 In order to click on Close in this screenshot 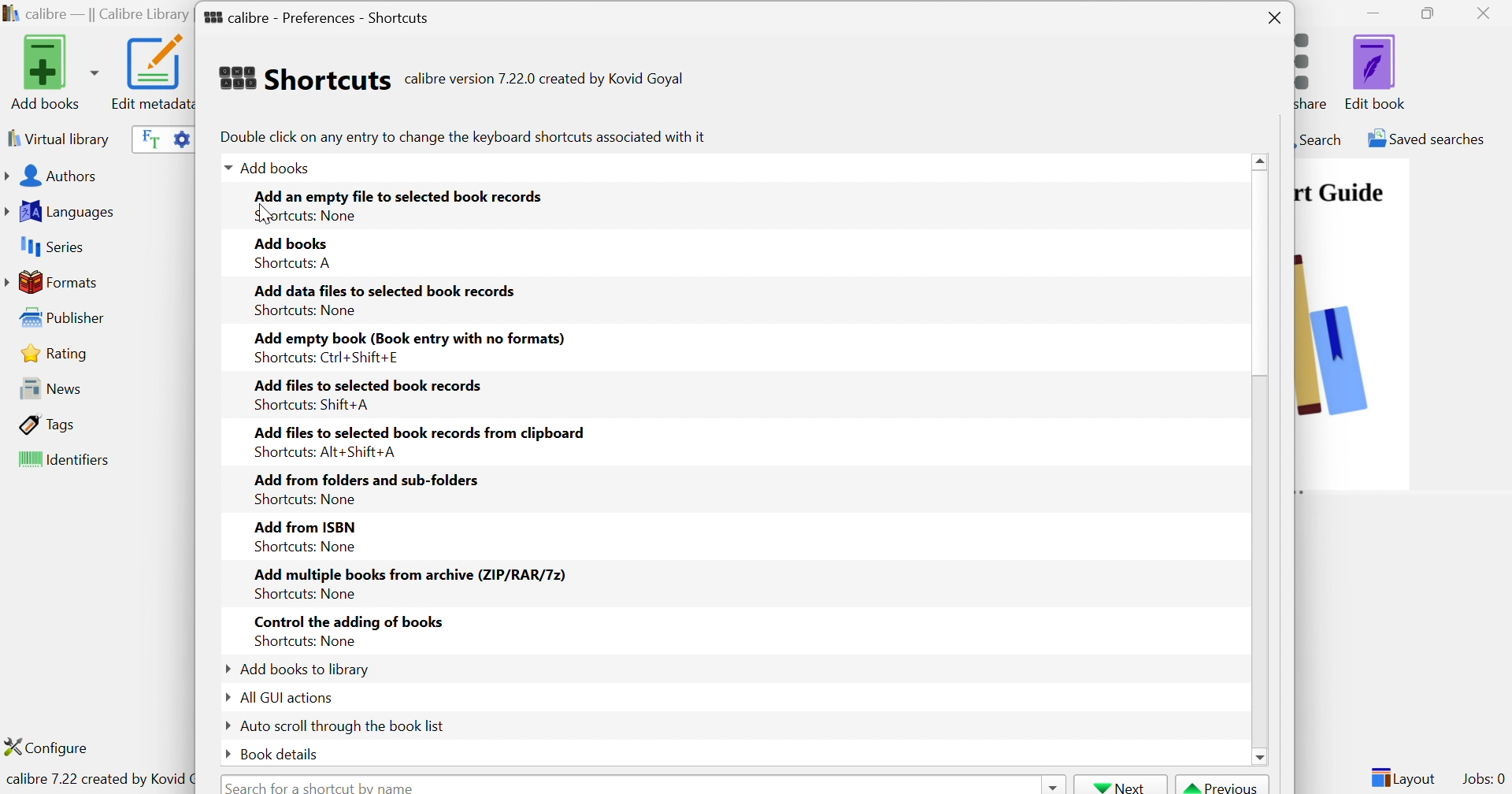, I will do `click(1275, 19)`.